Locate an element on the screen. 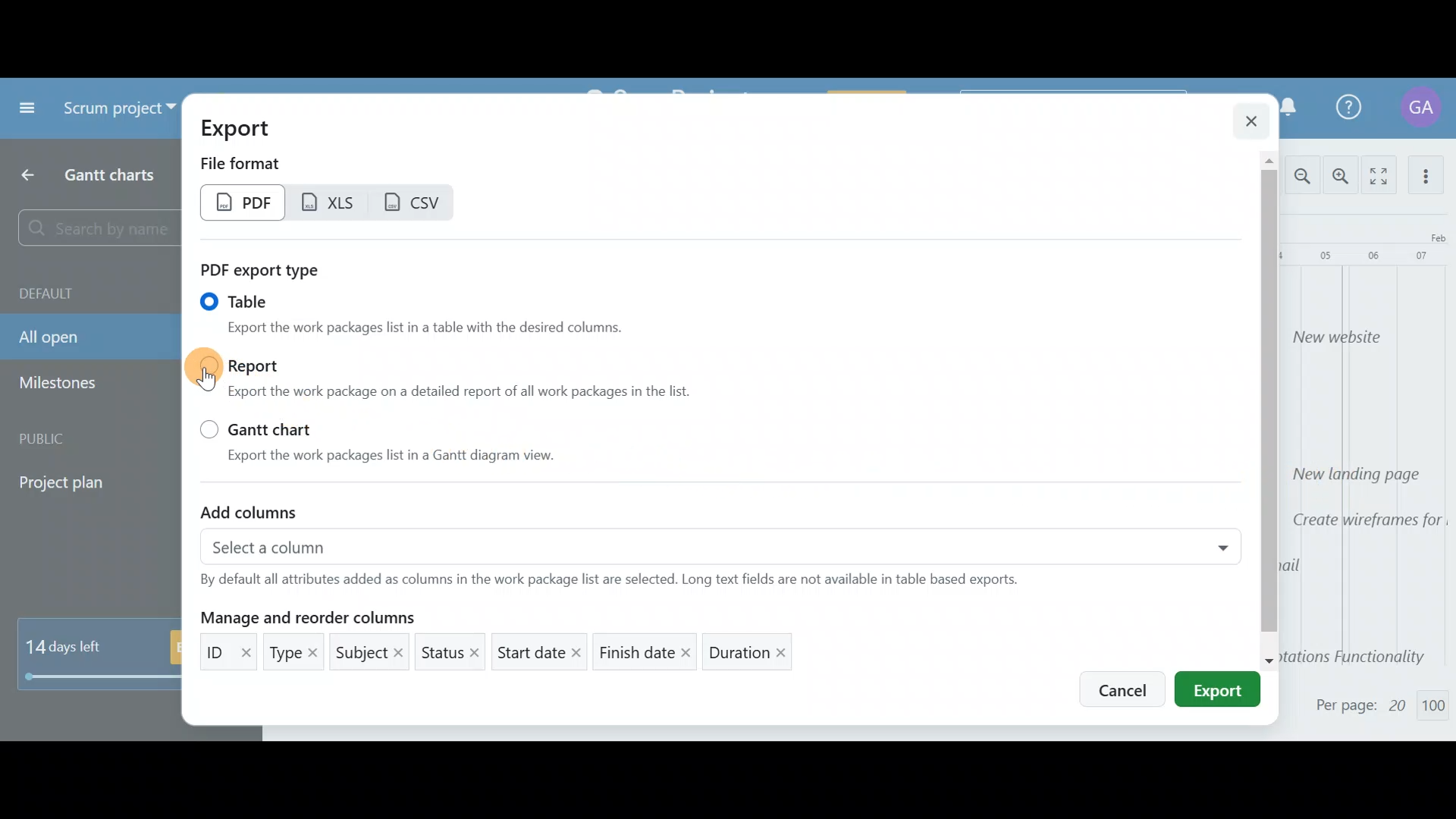  Notification Centre is located at coordinates (1296, 107).